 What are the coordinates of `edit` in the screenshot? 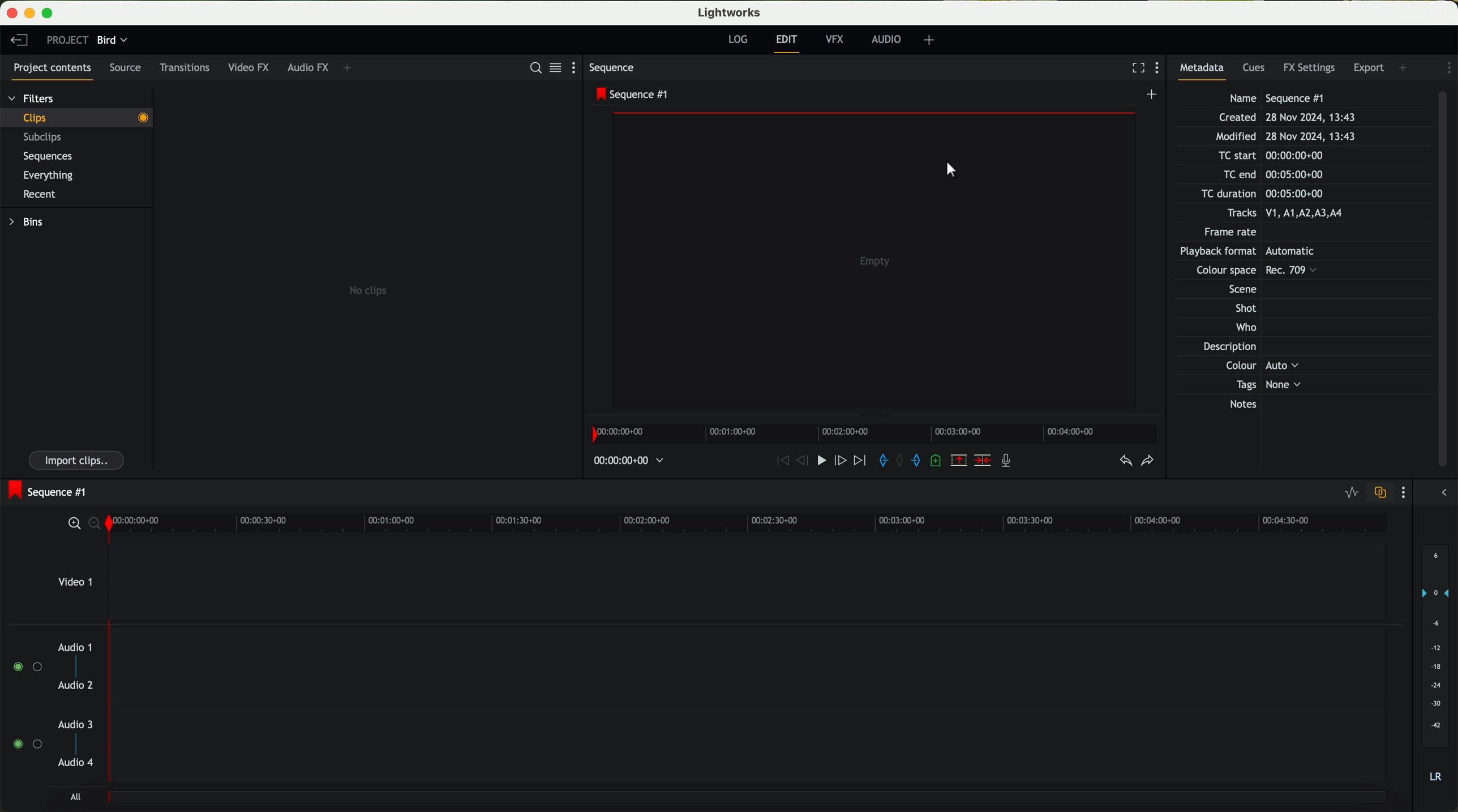 It's located at (790, 43).